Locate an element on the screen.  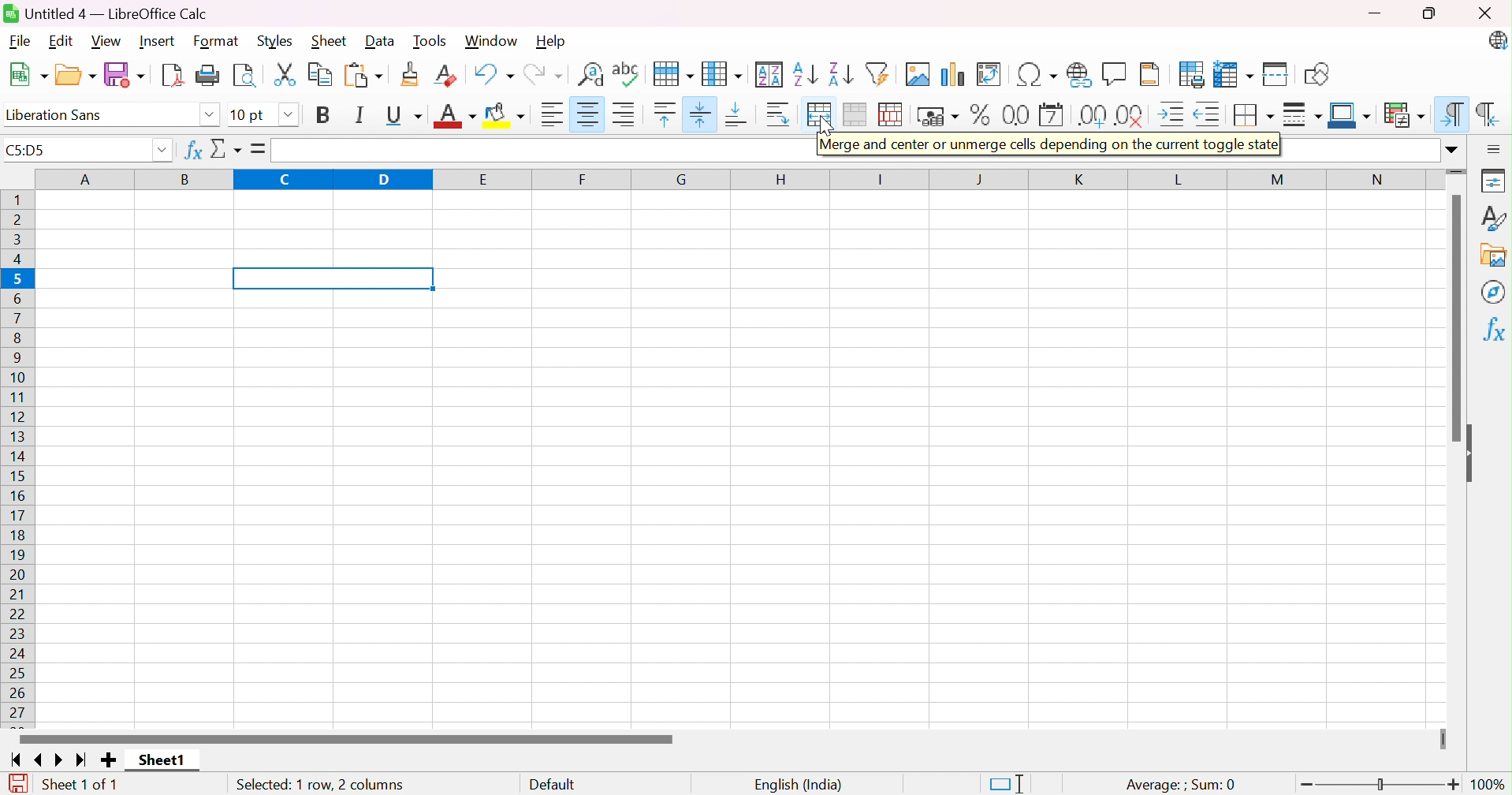
Row is located at coordinates (672, 74).